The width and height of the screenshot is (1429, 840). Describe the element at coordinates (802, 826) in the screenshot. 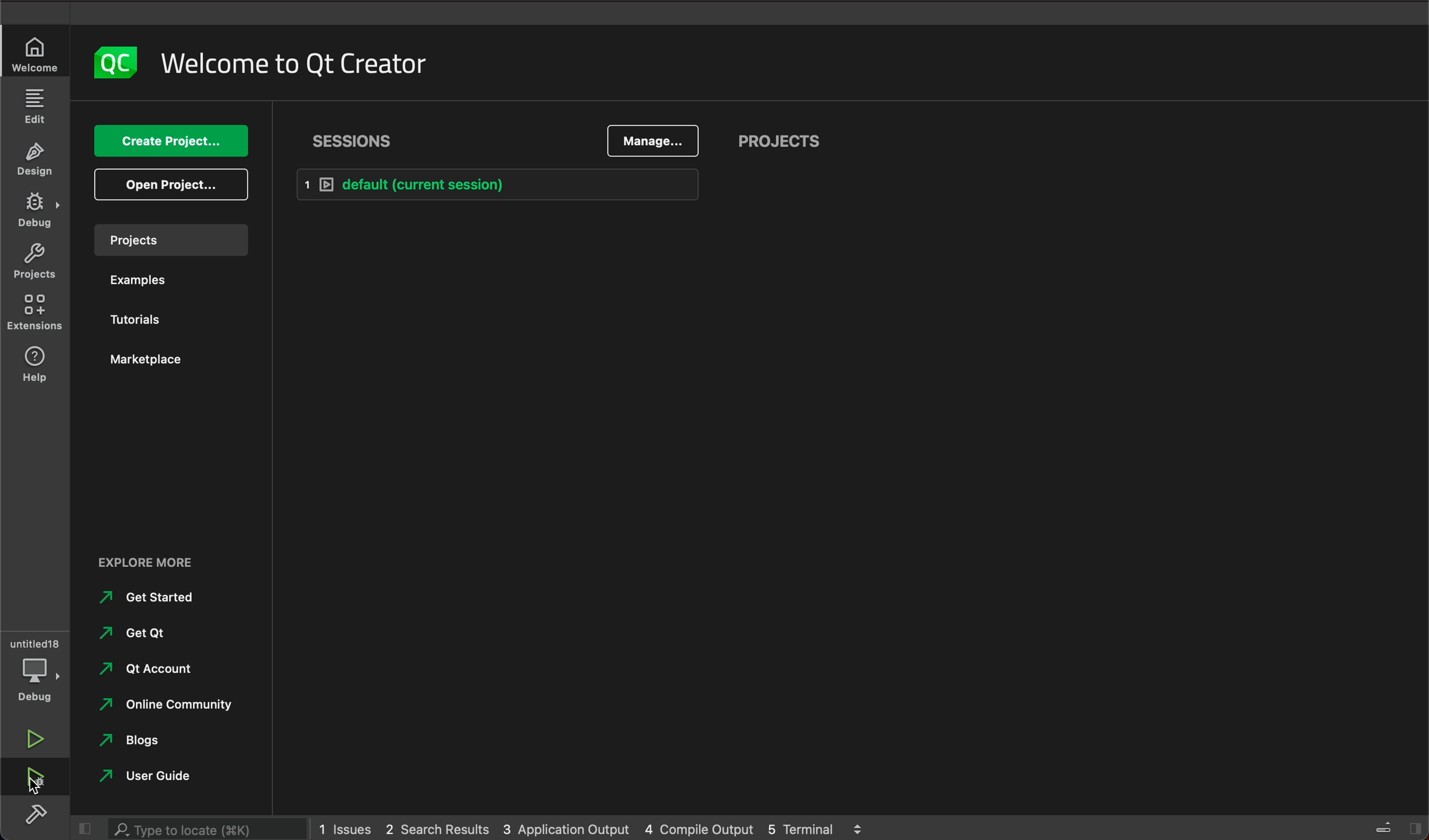

I see `5 terminal` at that location.